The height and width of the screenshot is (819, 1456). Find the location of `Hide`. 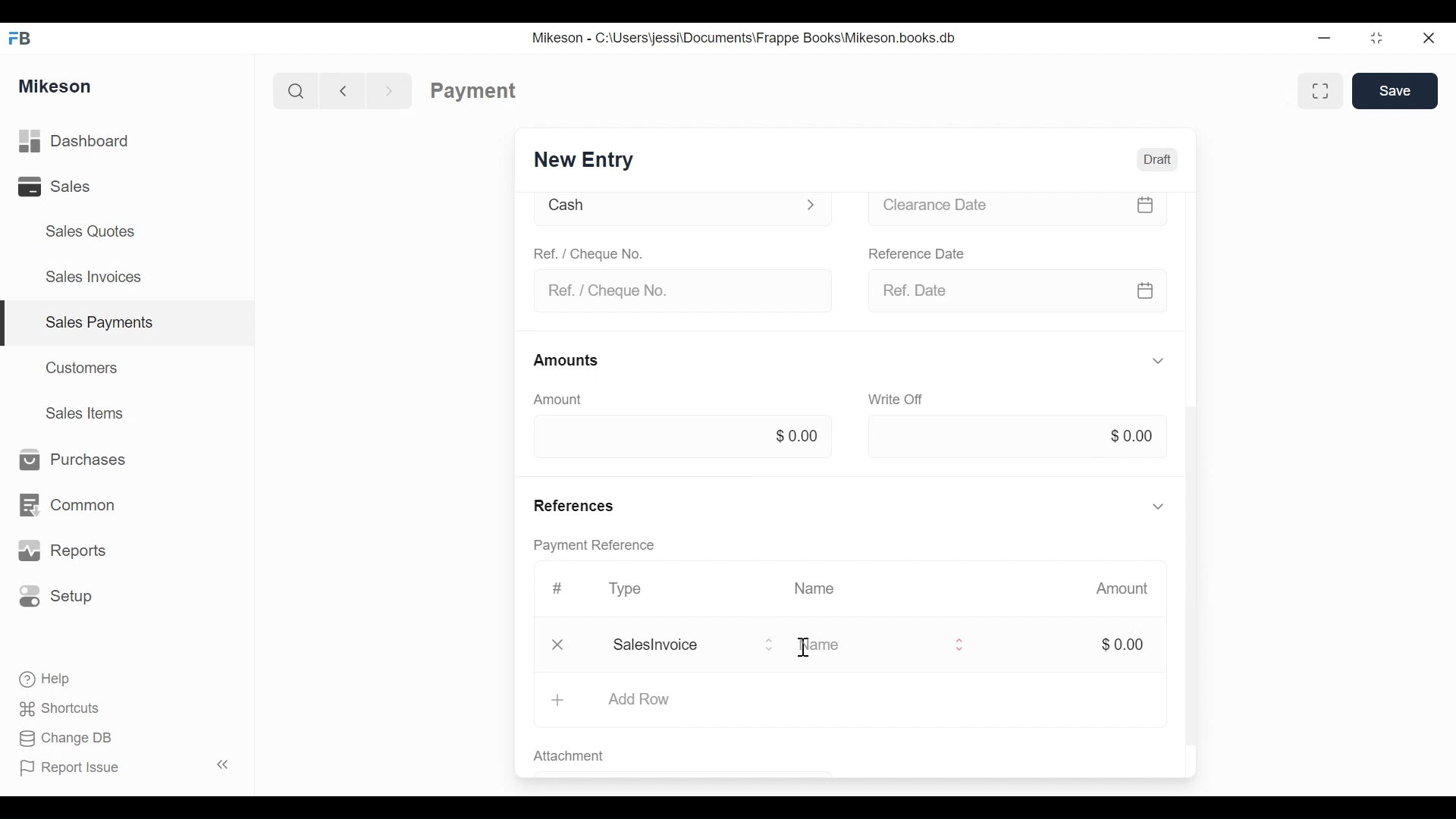

Hide is located at coordinates (1159, 504).